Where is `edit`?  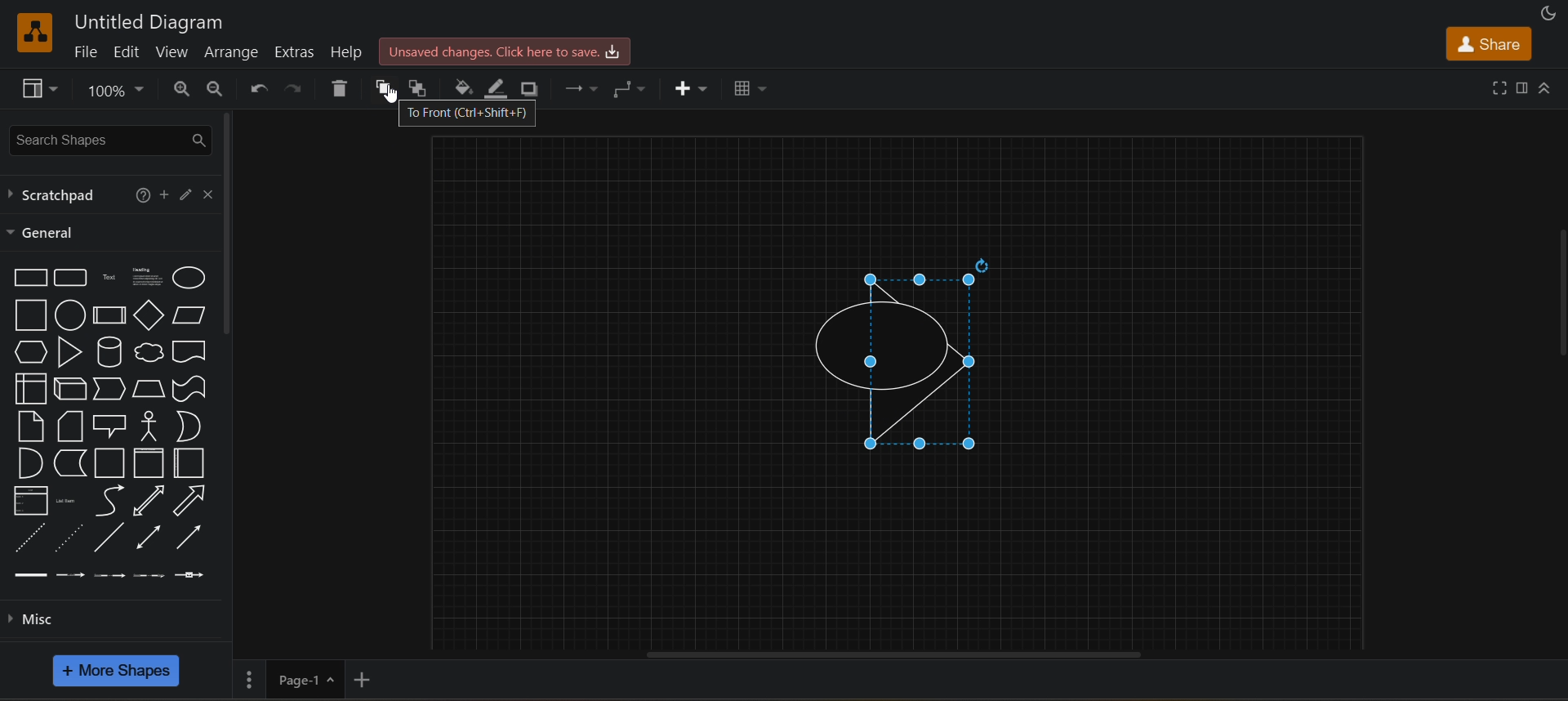 edit is located at coordinates (184, 193).